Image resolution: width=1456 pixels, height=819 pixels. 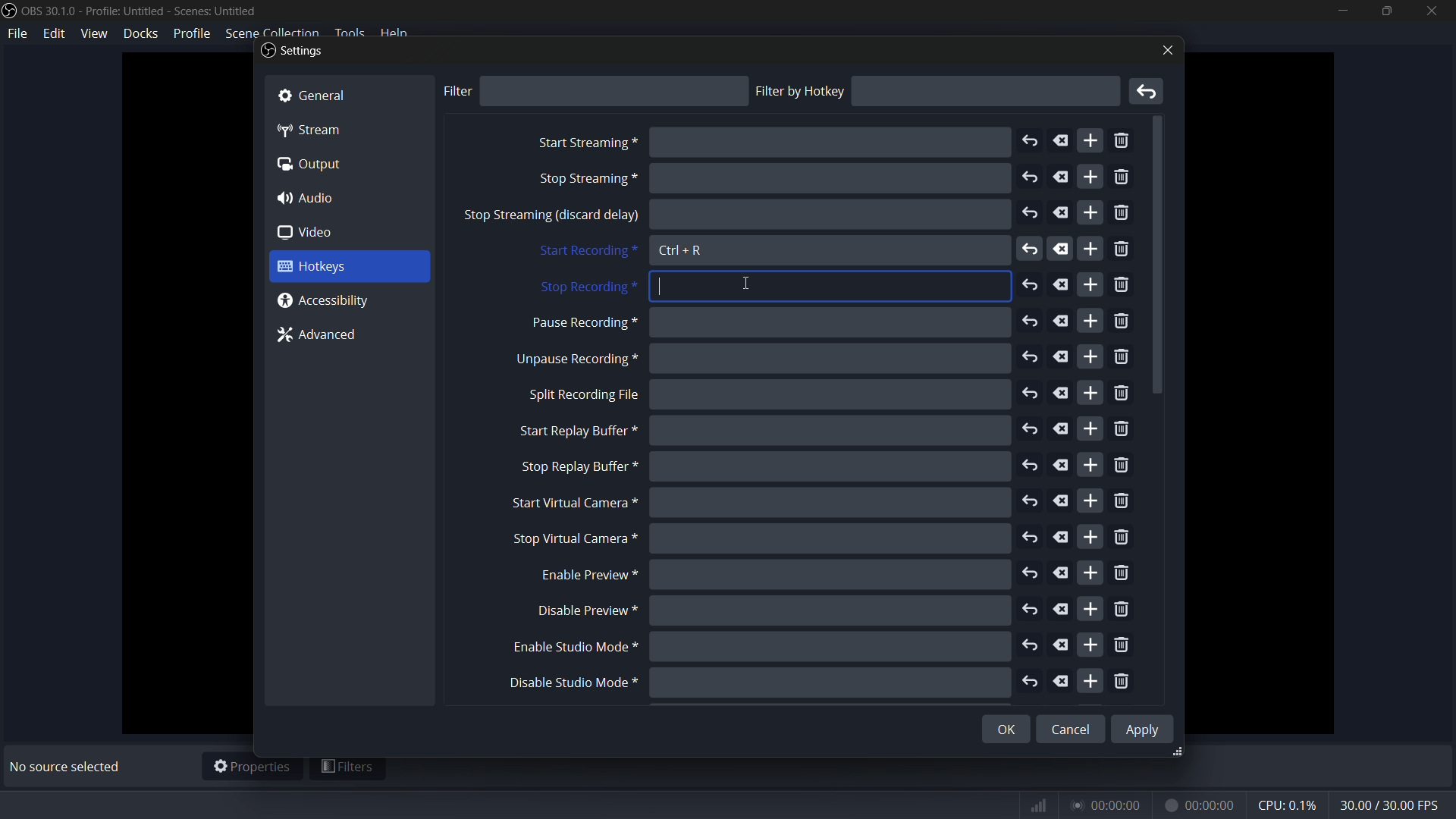 What do you see at coordinates (1160, 257) in the screenshot?
I see `scroll down` at bounding box center [1160, 257].